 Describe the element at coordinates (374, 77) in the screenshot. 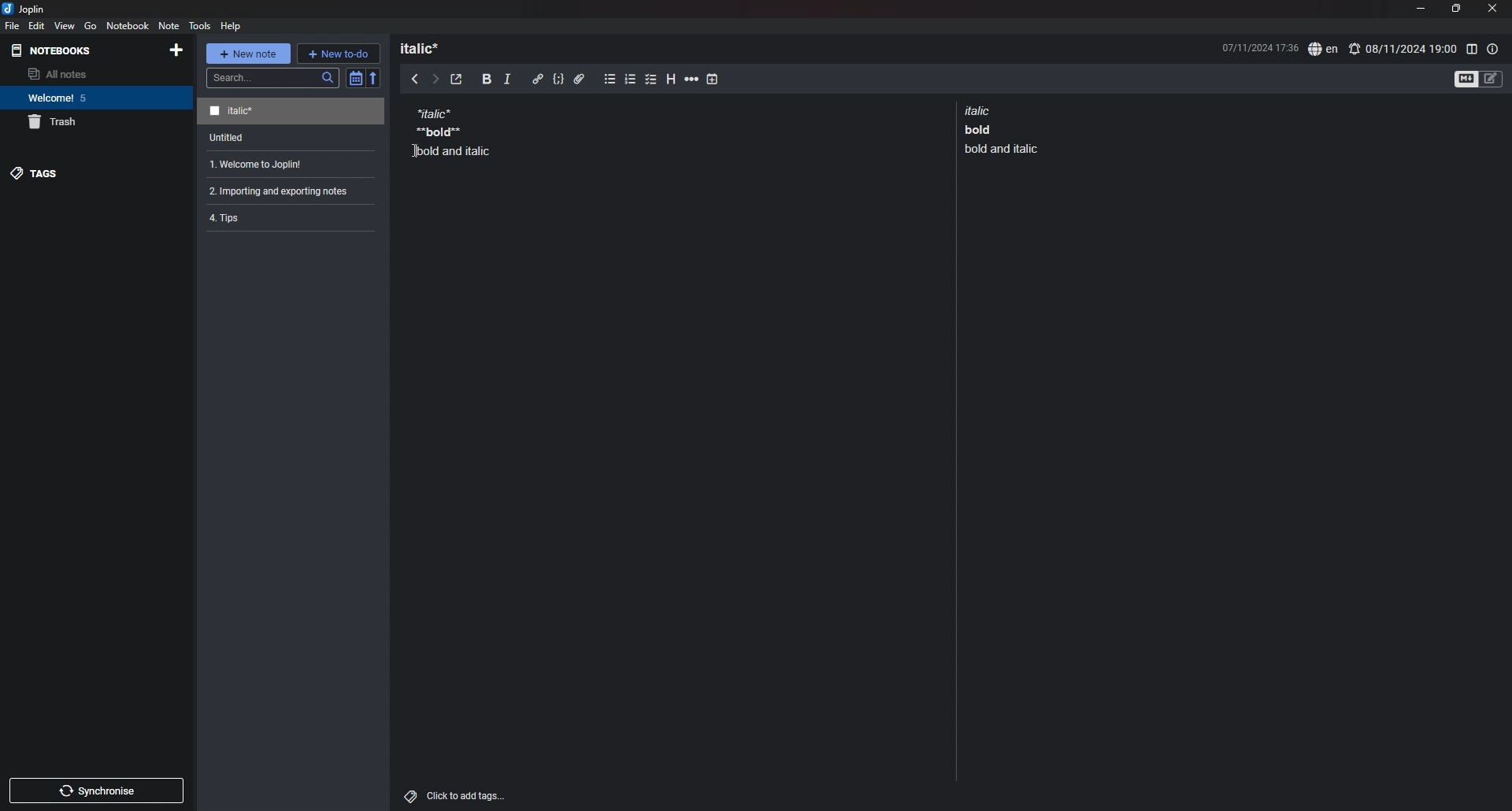

I see `reverse sort order` at that location.